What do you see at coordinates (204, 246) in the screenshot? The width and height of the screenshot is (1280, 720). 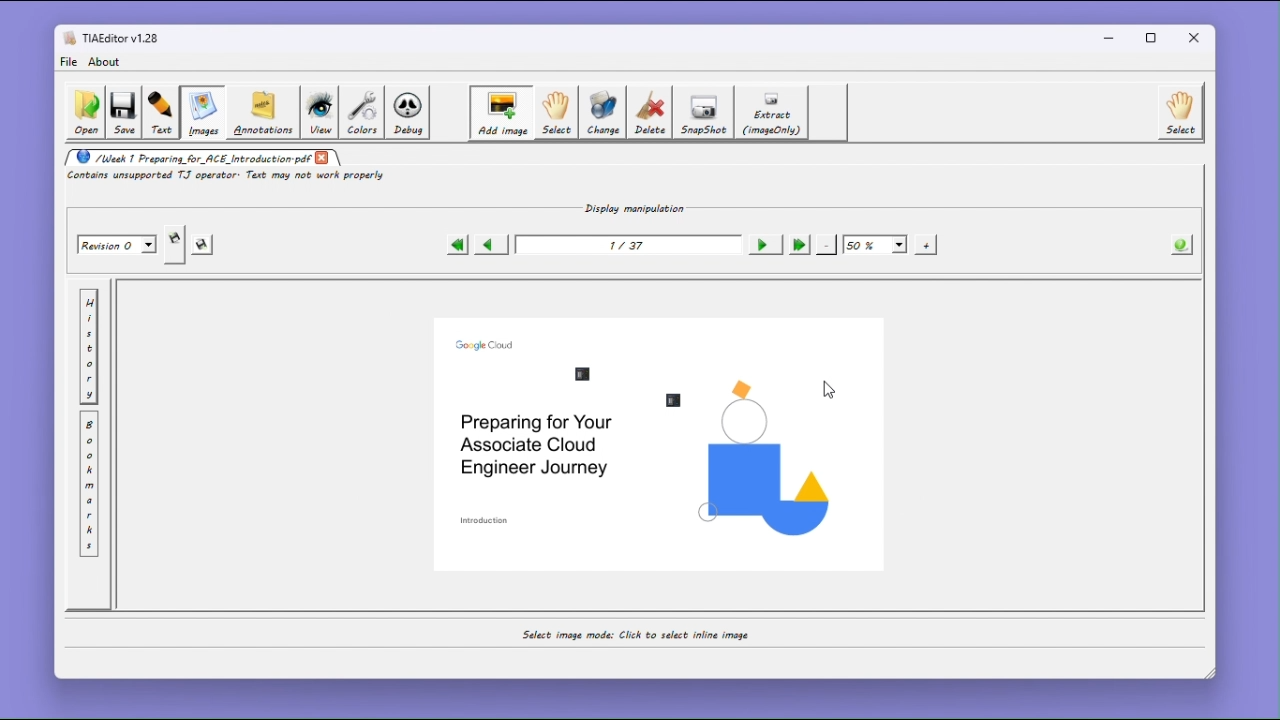 I see `save` at bounding box center [204, 246].